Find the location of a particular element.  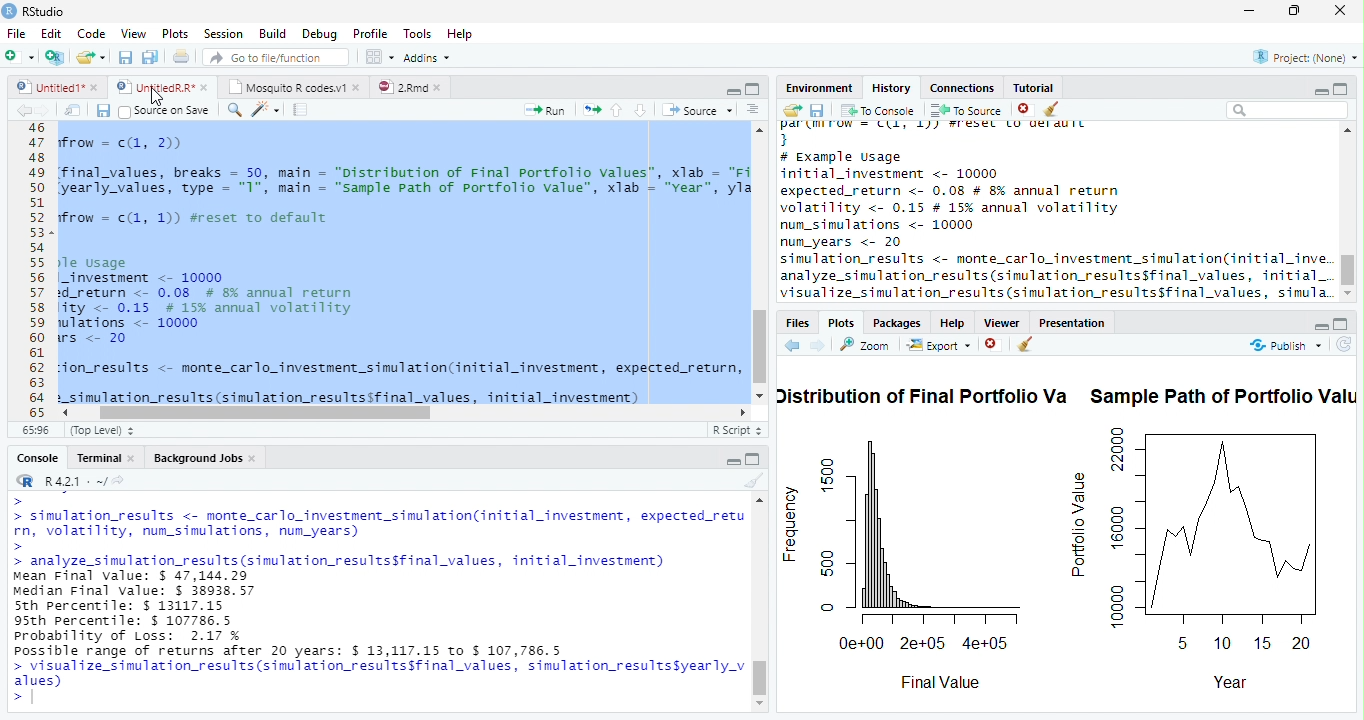

 is located at coordinates (732, 89).